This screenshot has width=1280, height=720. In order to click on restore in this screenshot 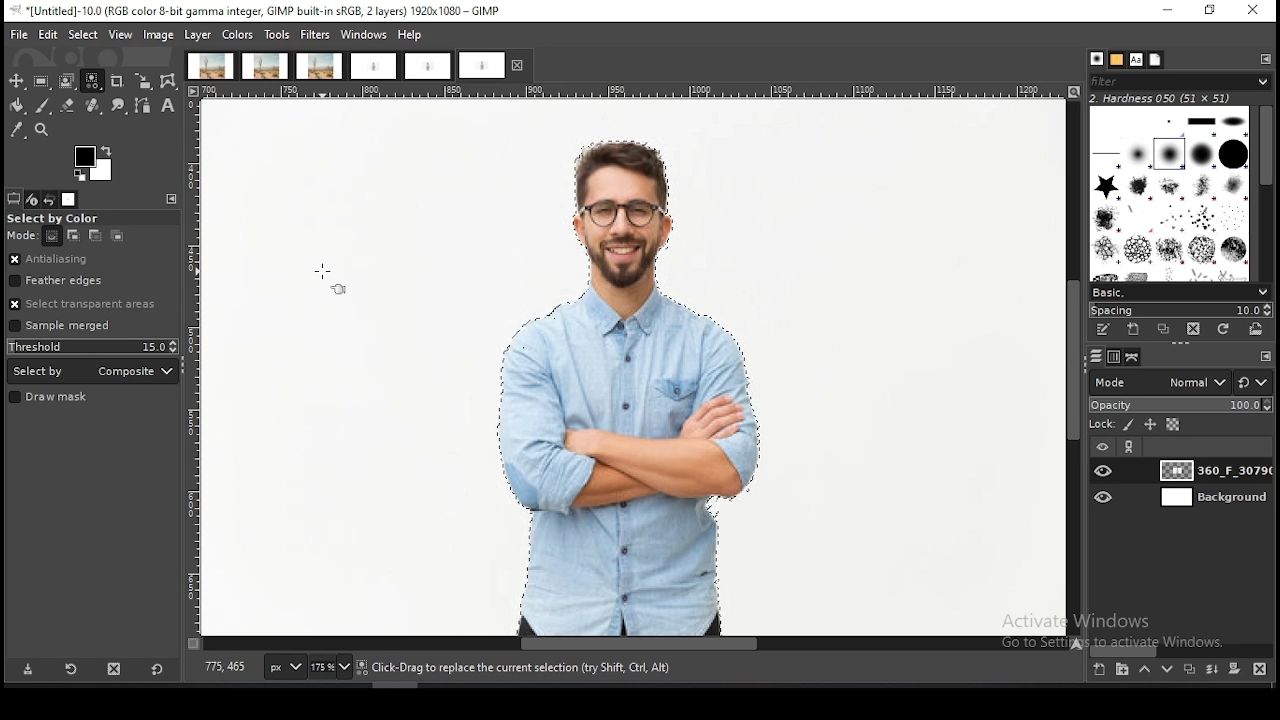, I will do `click(1212, 12)`.